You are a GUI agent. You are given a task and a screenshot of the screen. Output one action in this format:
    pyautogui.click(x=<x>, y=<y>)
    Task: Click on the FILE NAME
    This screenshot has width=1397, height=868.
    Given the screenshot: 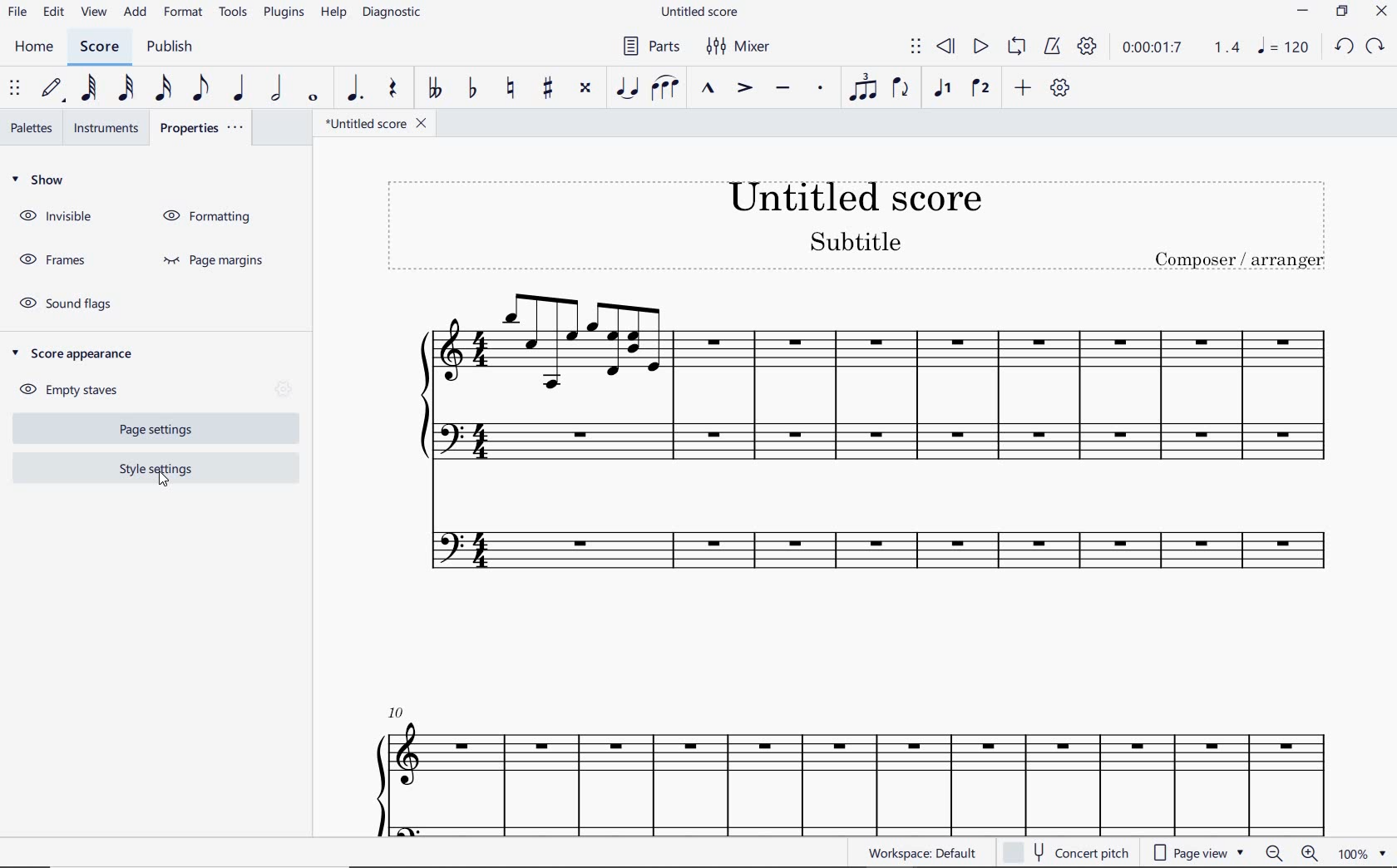 What is the action you would take?
    pyautogui.click(x=377, y=124)
    